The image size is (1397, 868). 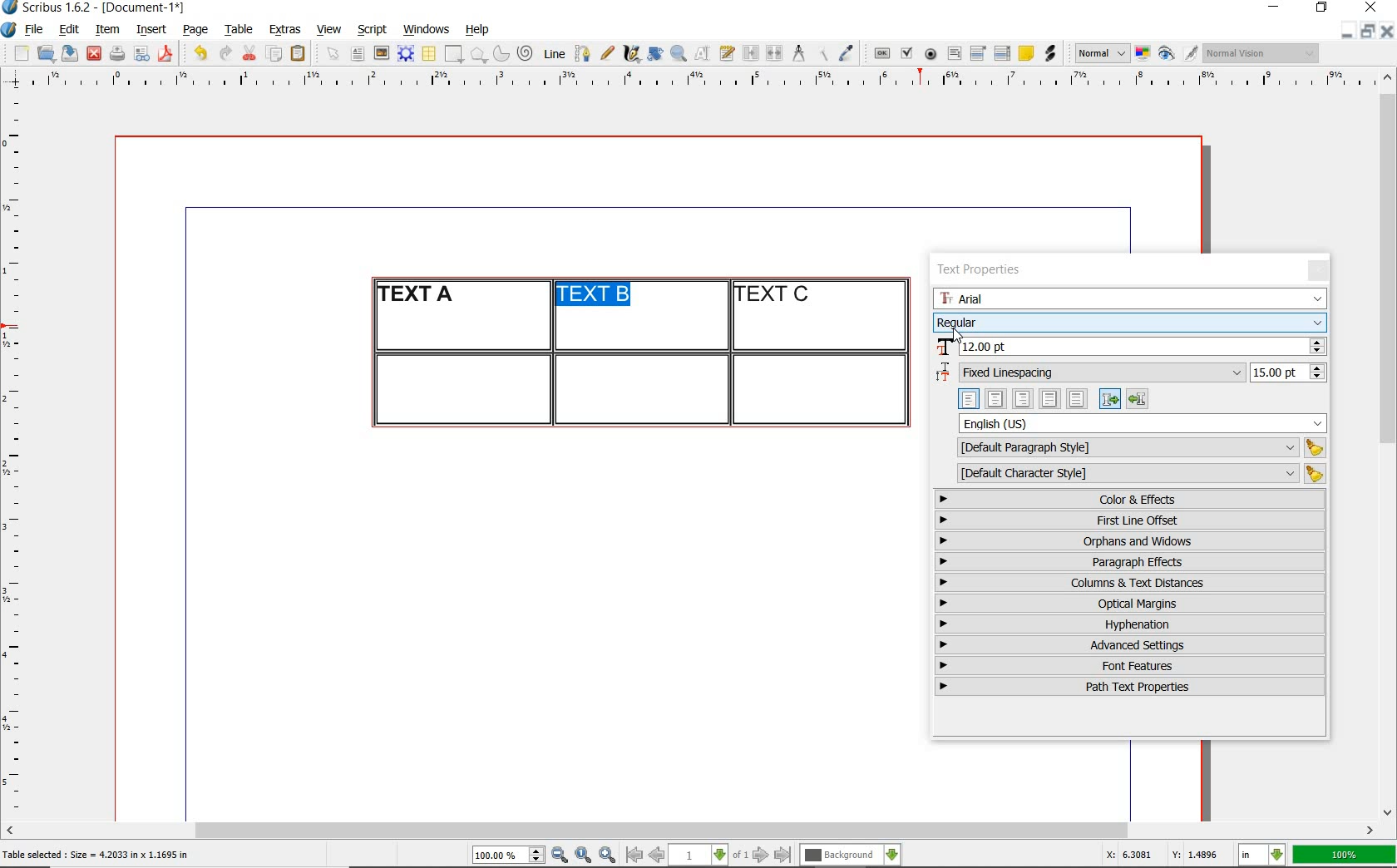 What do you see at coordinates (1053, 398) in the screenshot?
I see `text alignment` at bounding box center [1053, 398].